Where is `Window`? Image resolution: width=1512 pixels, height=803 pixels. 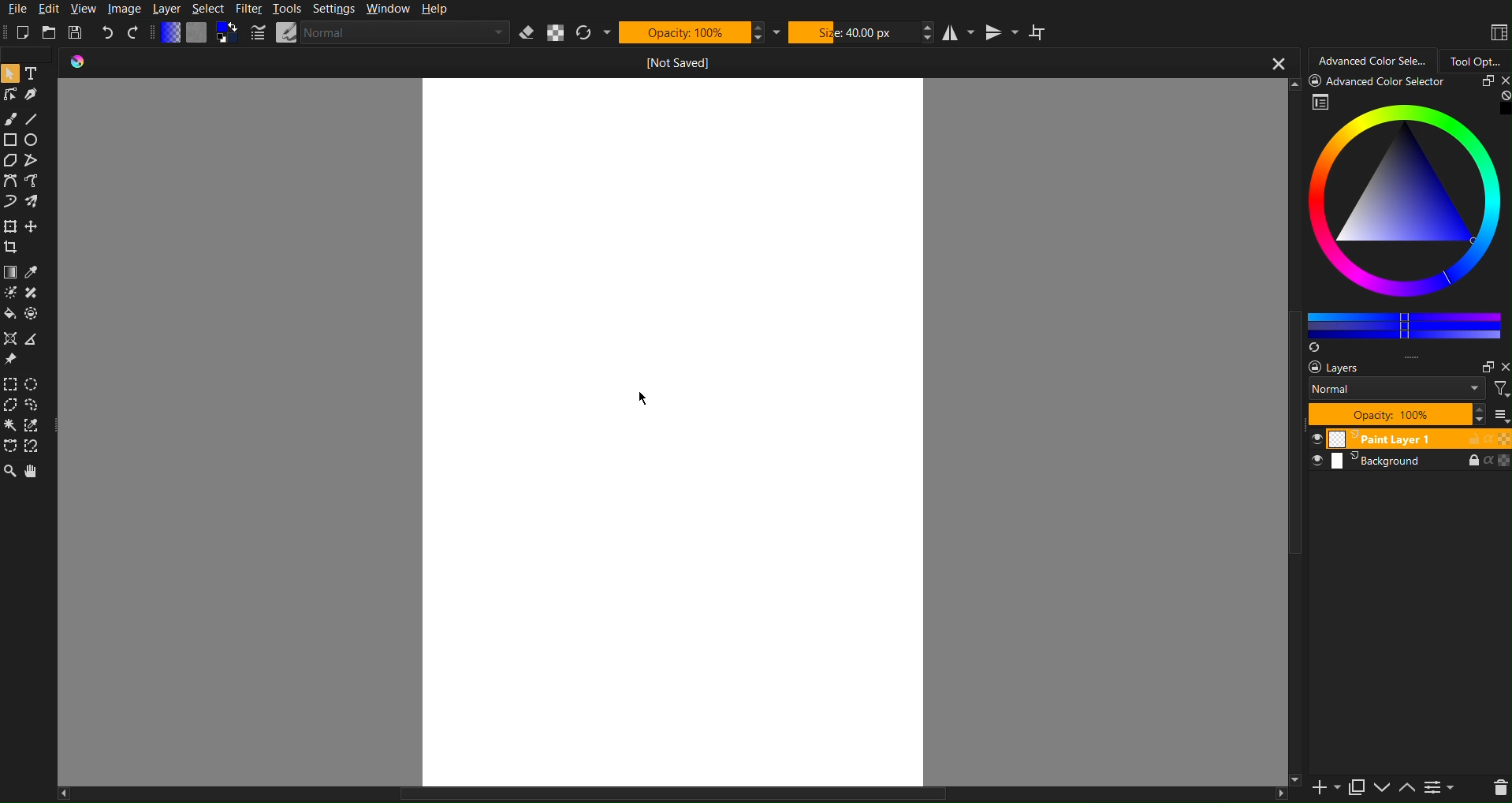
Window is located at coordinates (387, 9).